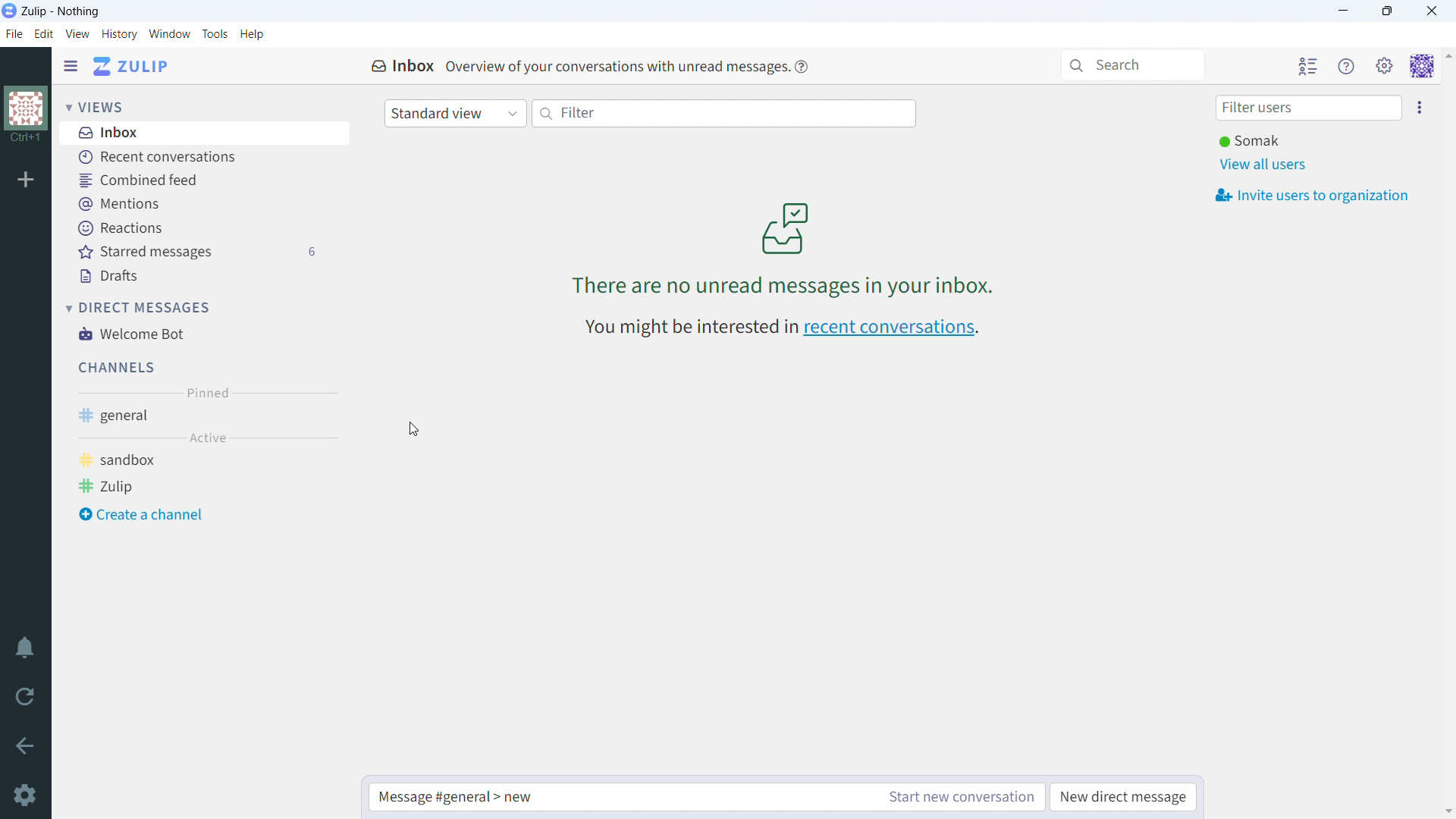 This screenshot has width=1456, height=819. Describe the element at coordinates (25, 108) in the screenshot. I see `organization` at that location.